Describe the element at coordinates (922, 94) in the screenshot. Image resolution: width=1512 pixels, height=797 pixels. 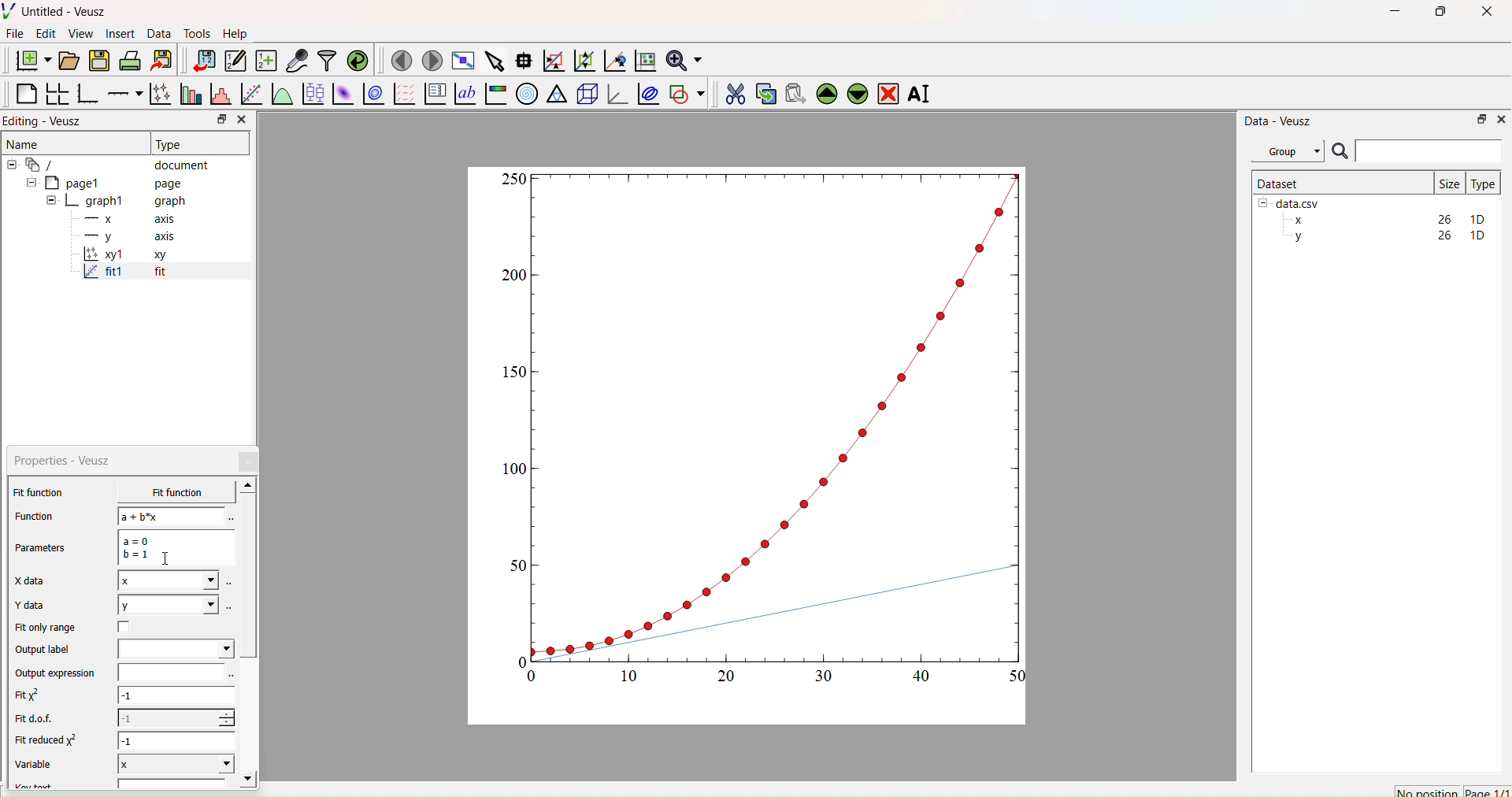
I see `Rename` at that location.